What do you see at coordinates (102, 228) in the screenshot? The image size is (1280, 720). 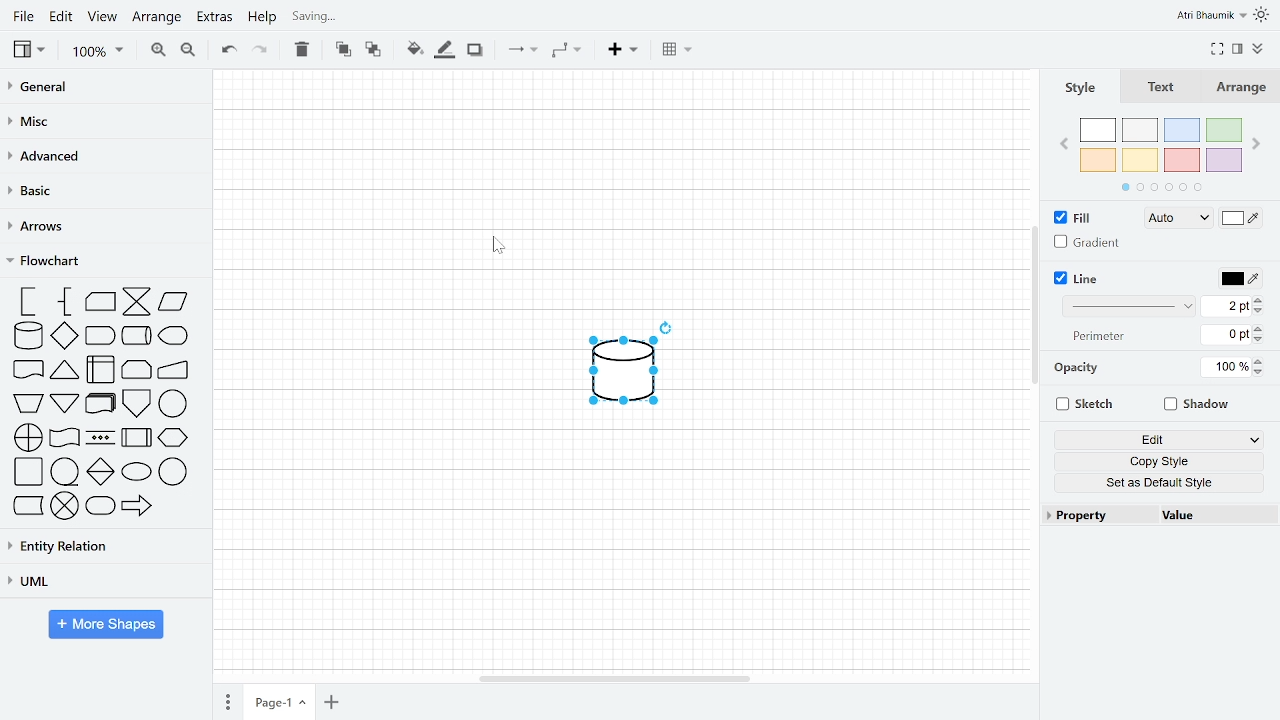 I see `Arrows` at bounding box center [102, 228].